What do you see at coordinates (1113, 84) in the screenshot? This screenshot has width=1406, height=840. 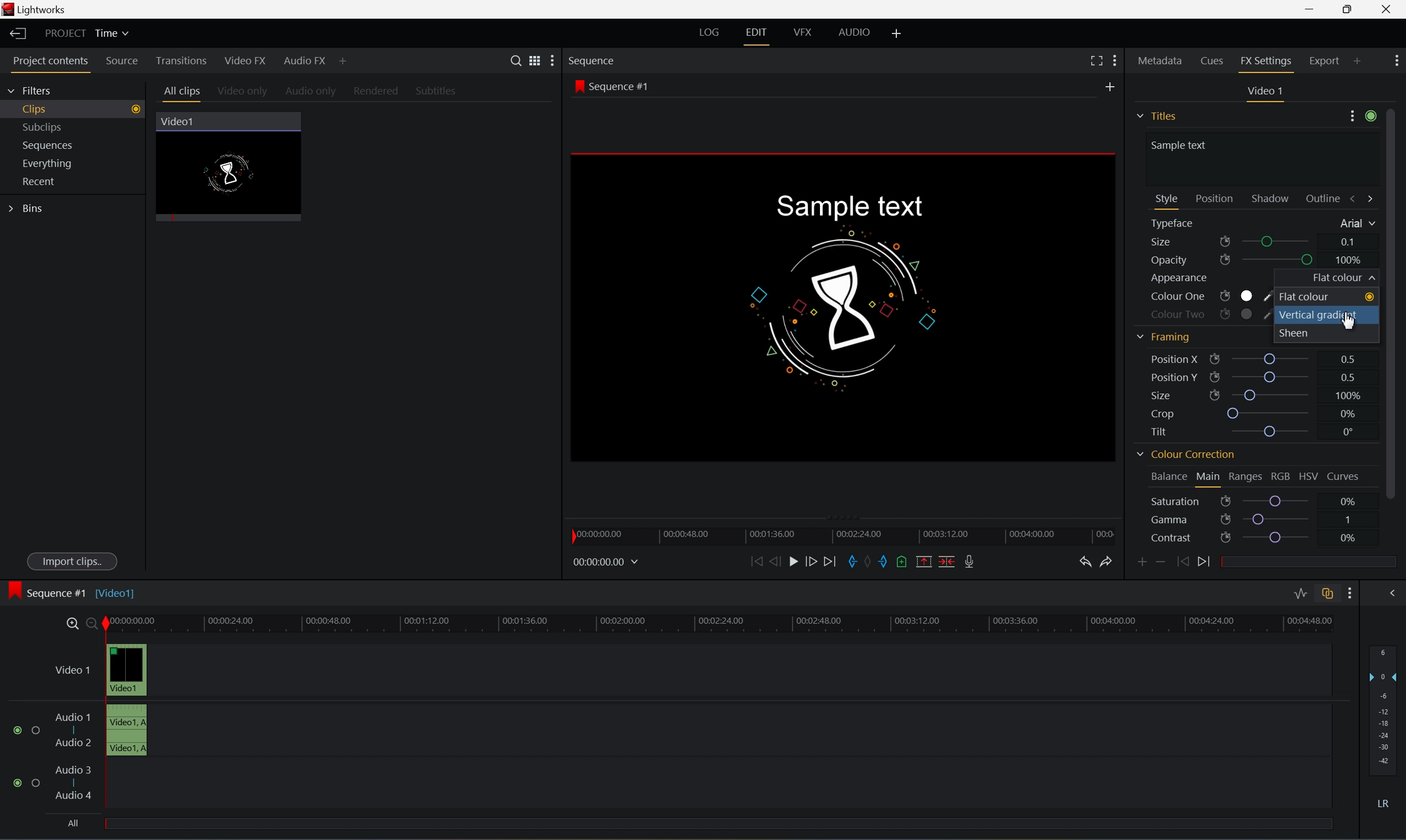 I see `add` at bounding box center [1113, 84].